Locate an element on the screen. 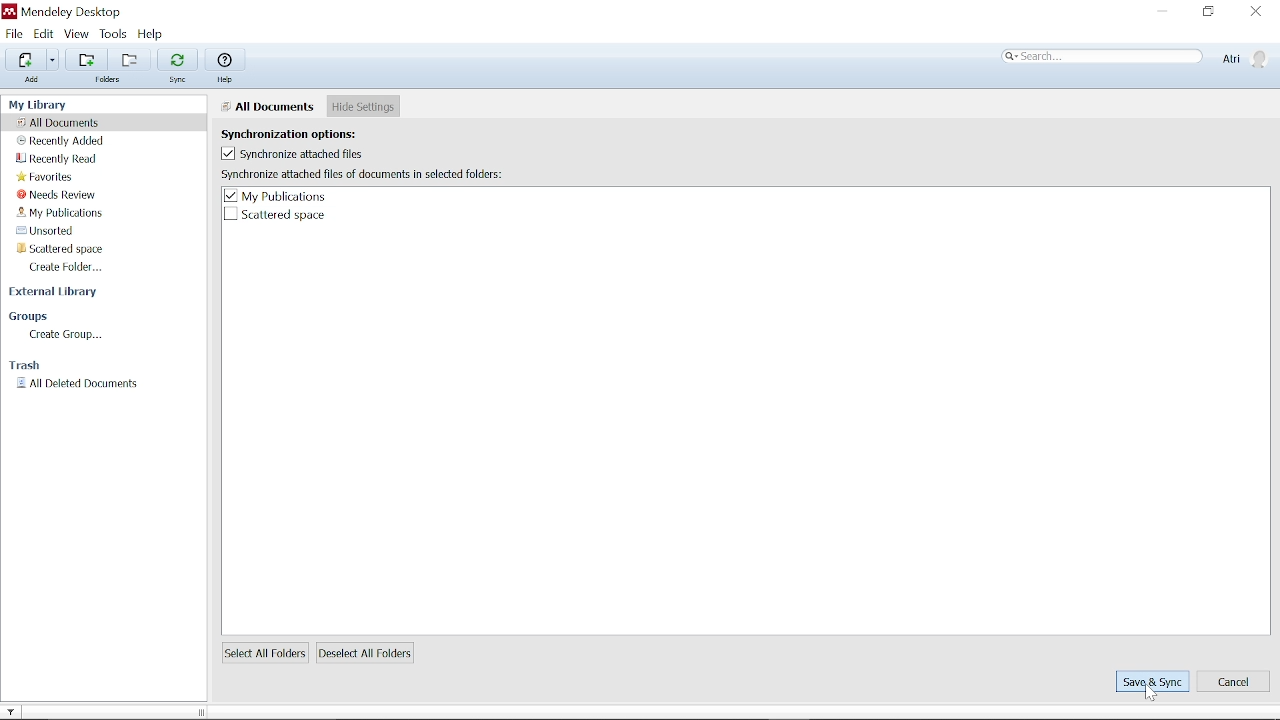 This screenshot has height=720, width=1280. Edit is located at coordinates (43, 34).